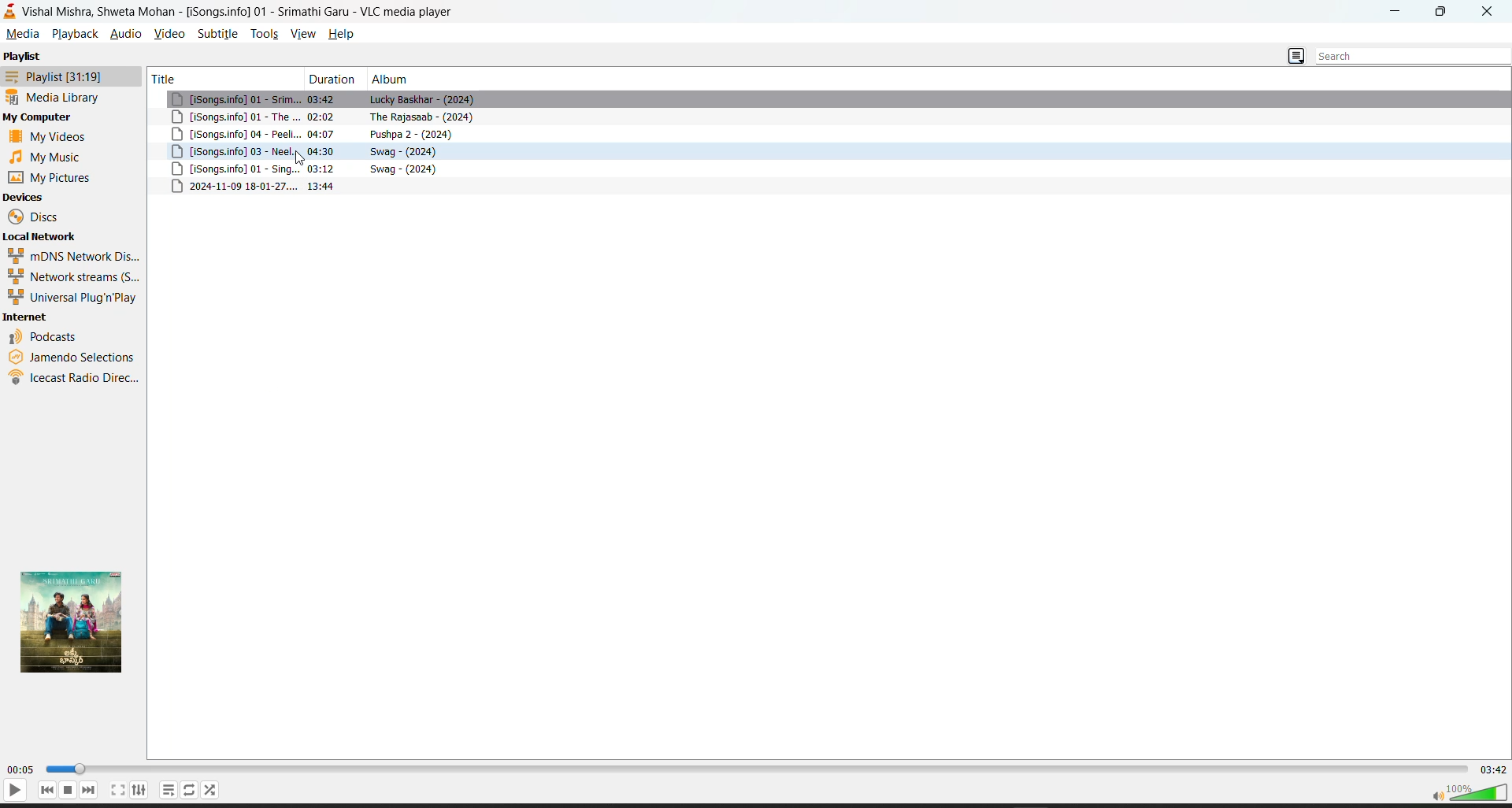 The width and height of the screenshot is (1512, 808). What do you see at coordinates (74, 276) in the screenshot?
I see `network streams` at bounding box center [74, 276].